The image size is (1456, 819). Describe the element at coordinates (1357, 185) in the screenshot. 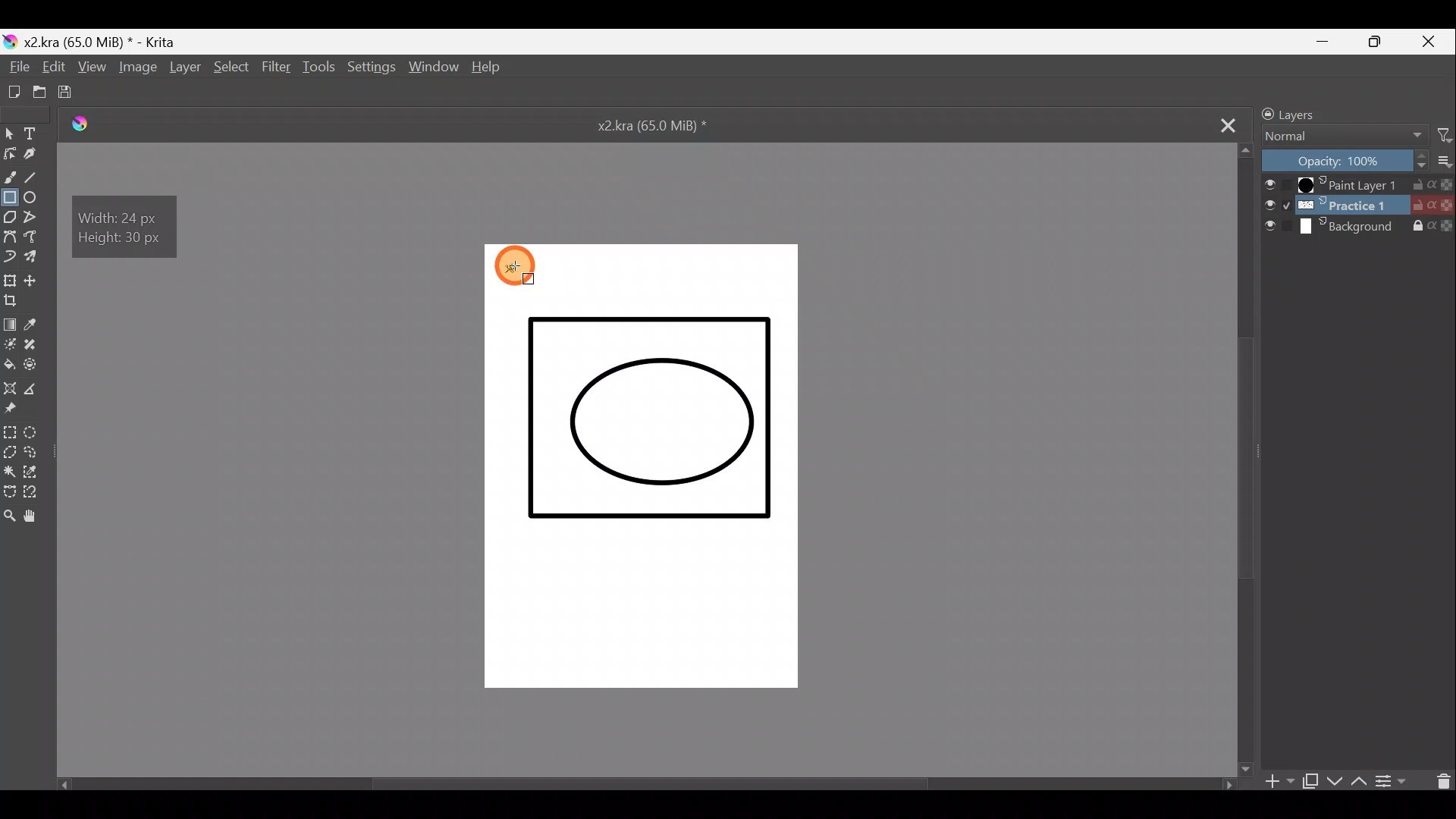

I see `Paint Layer 1` at that location.